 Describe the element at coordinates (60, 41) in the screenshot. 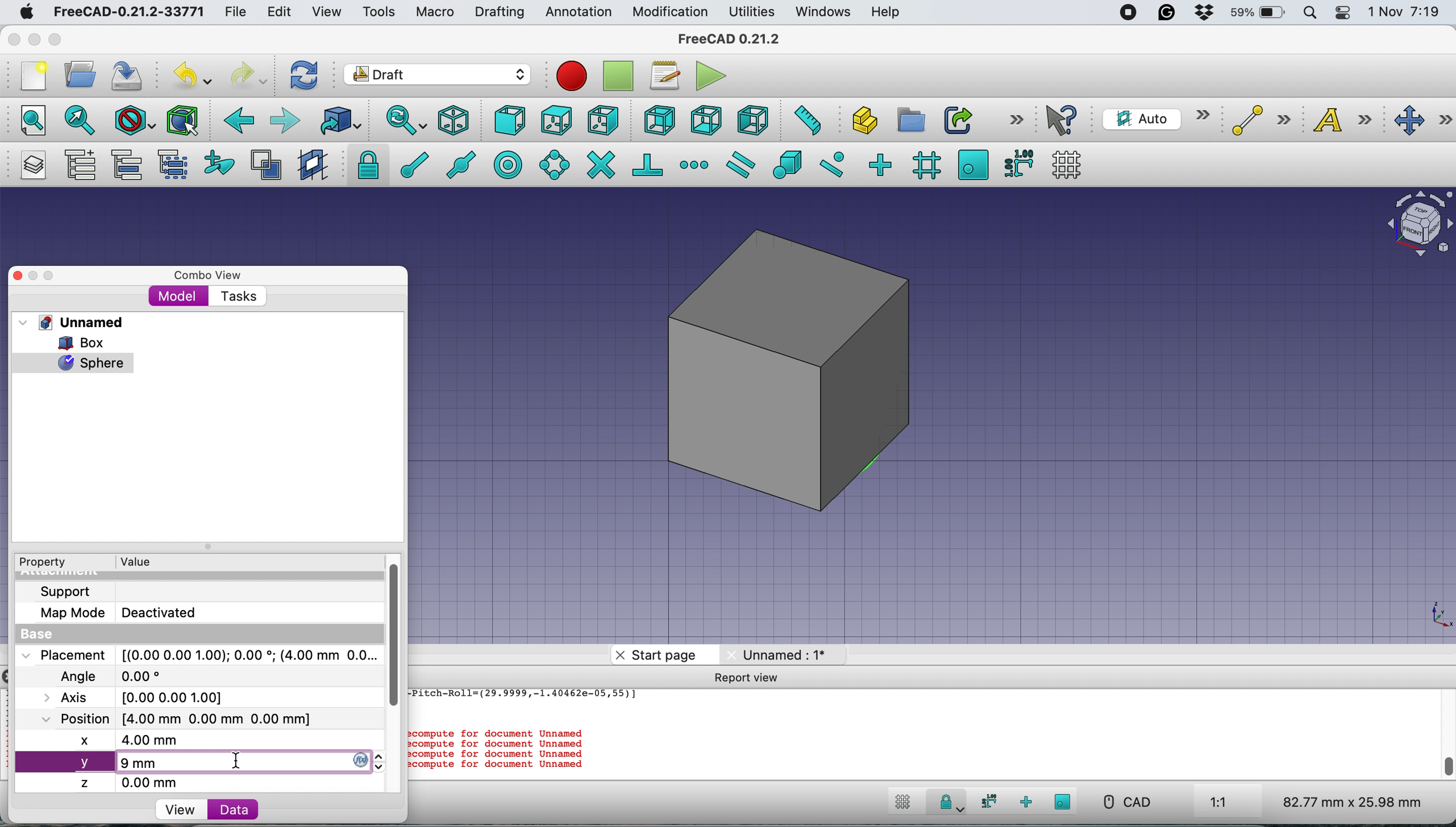

I see `maximise` at that location.